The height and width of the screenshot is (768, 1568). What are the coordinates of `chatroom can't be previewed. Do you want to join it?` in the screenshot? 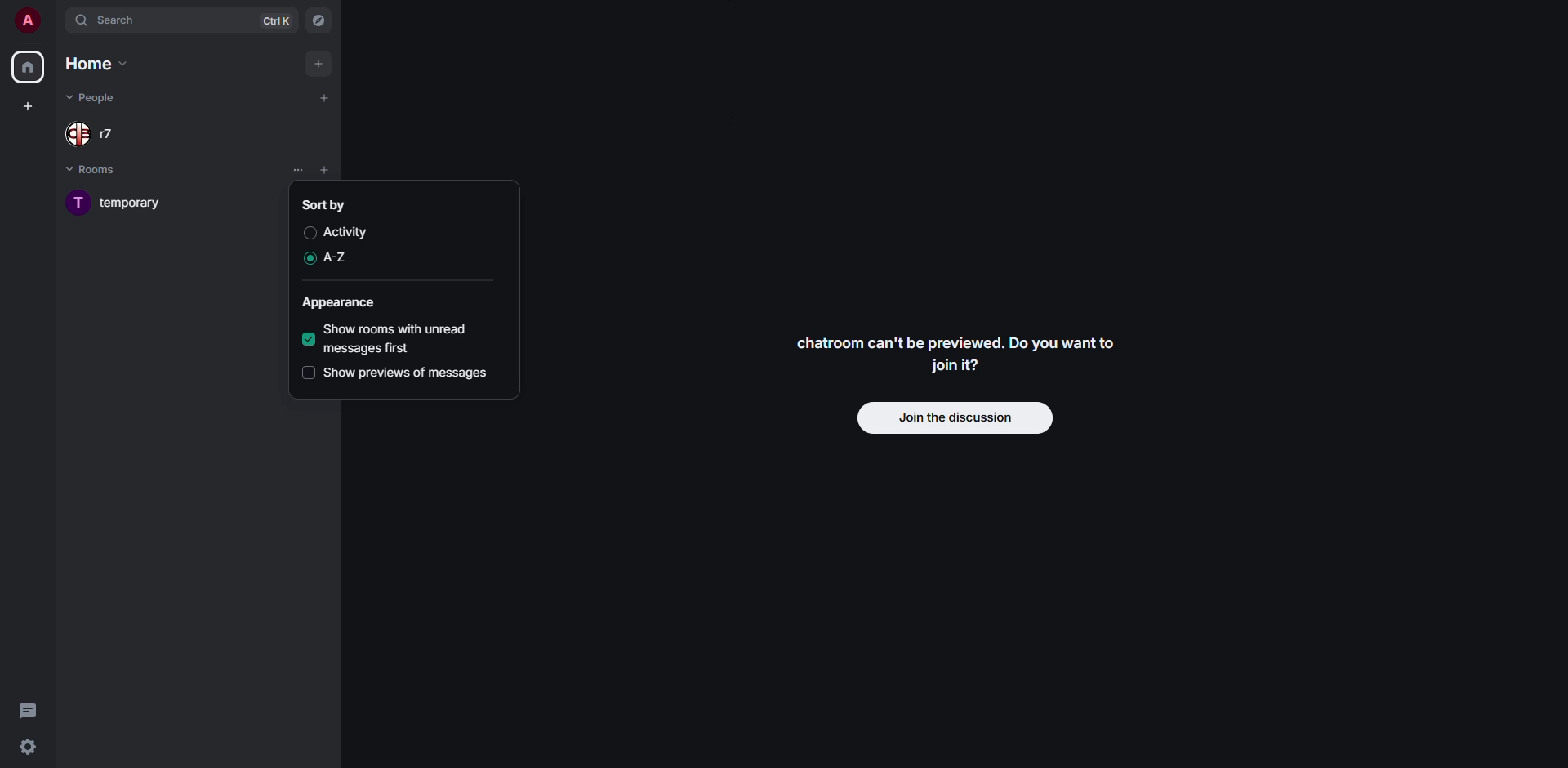 It's located at (958, 353).